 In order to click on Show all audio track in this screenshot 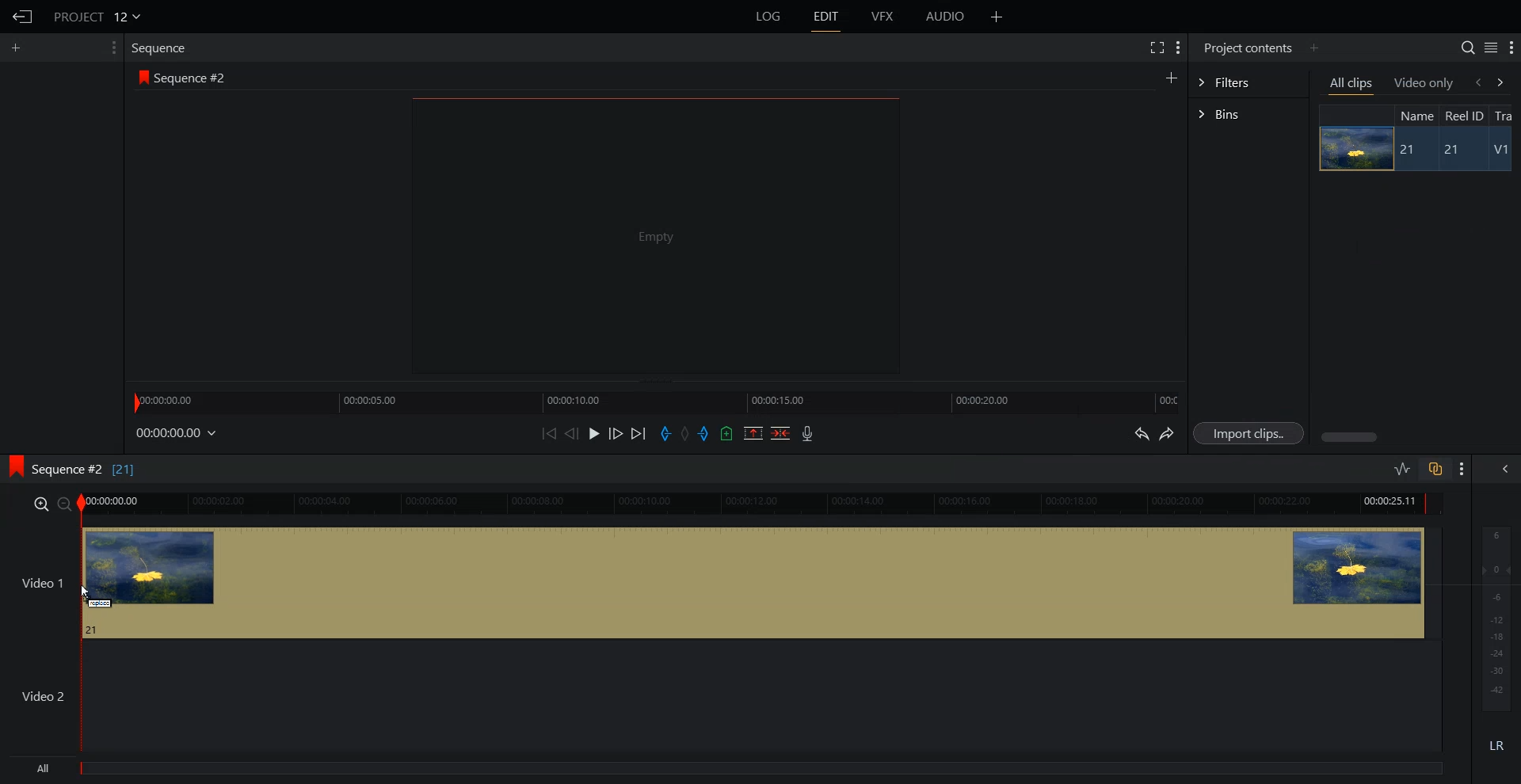, I will do `click(1506, 469)`.